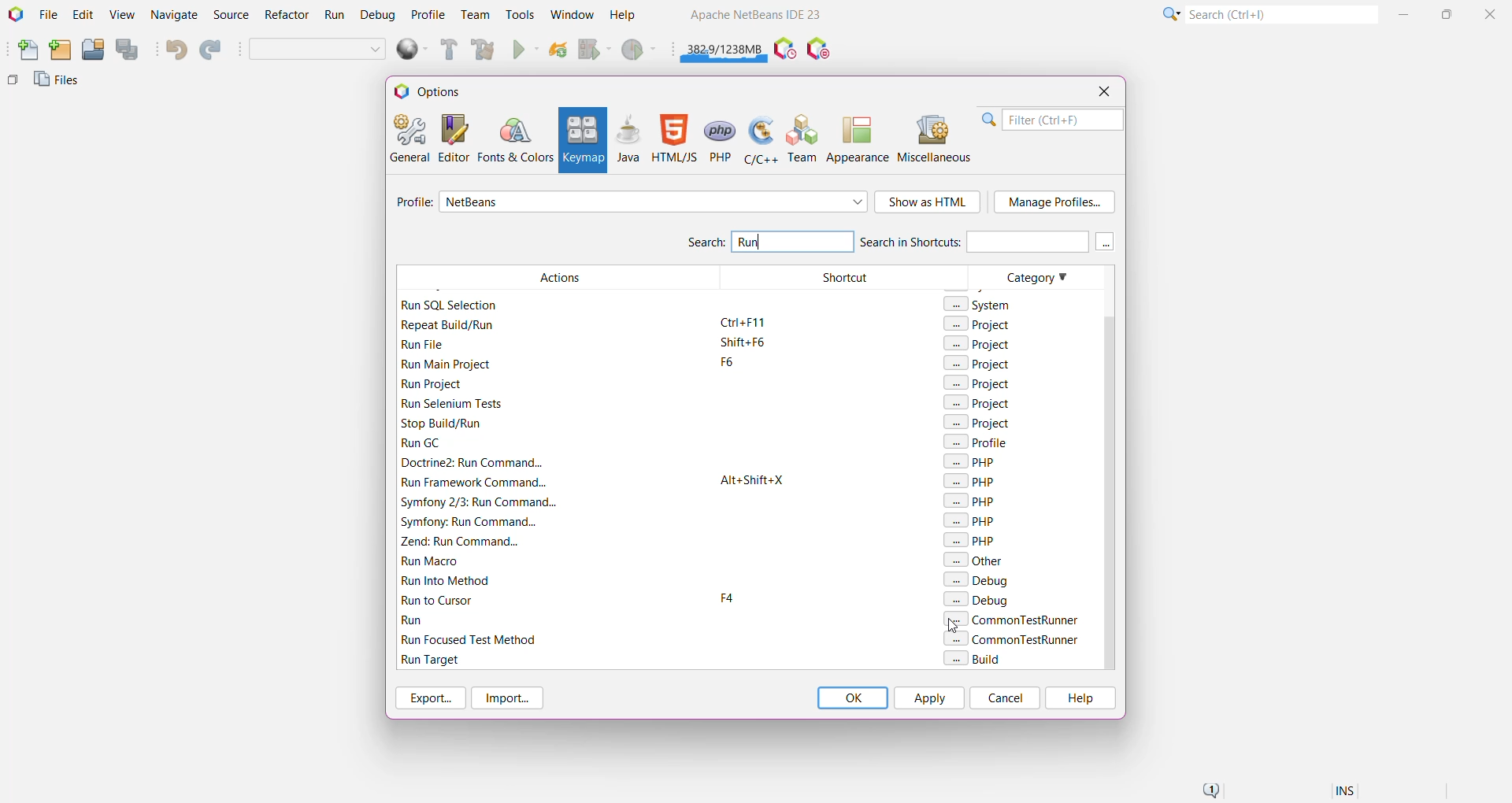 This screenshot has width=1512, height=803. I want to click on Application name and Version, so click(754, 17).